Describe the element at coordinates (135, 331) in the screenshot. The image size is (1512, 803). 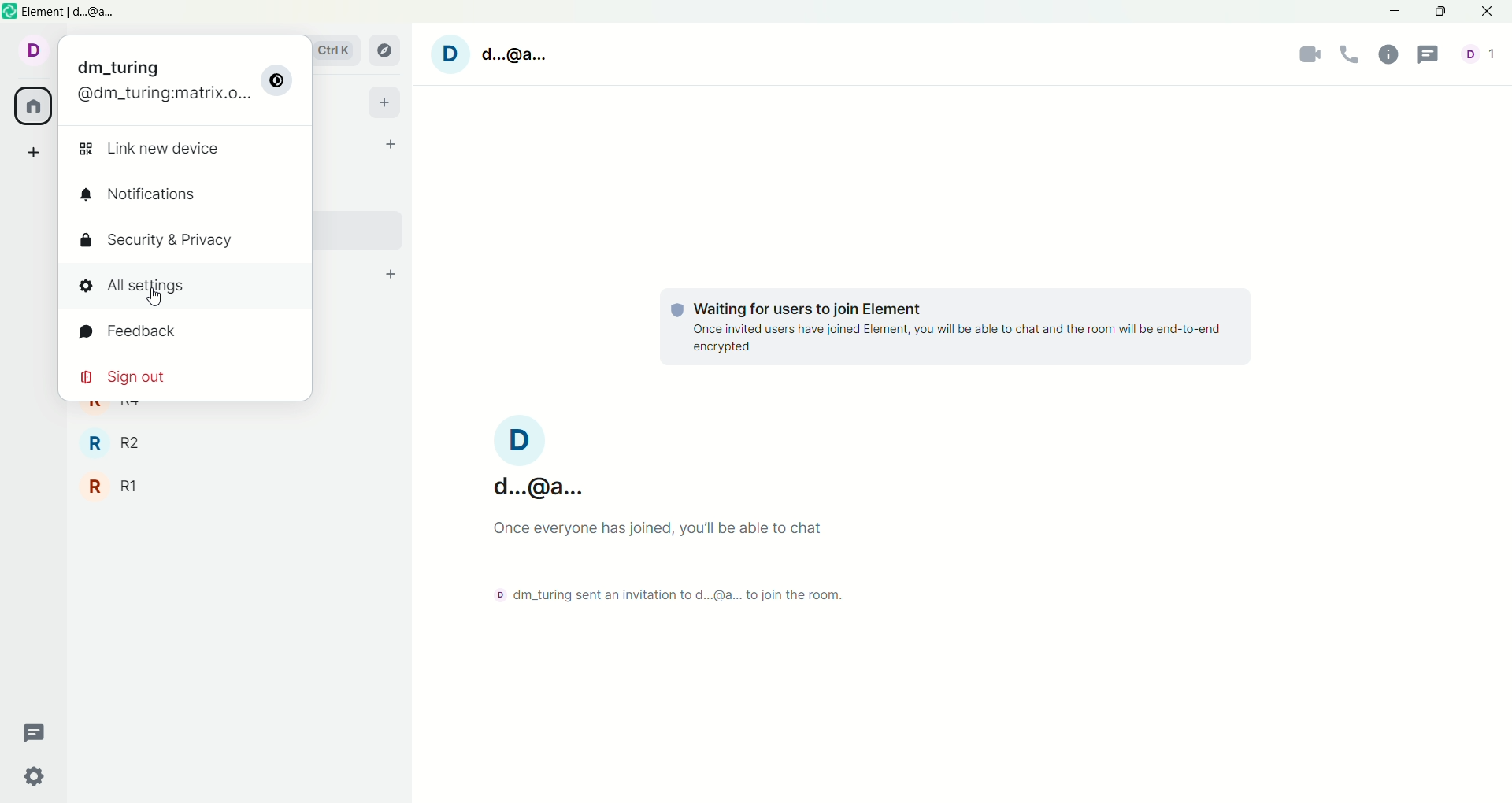
I see `feedback` at that location.